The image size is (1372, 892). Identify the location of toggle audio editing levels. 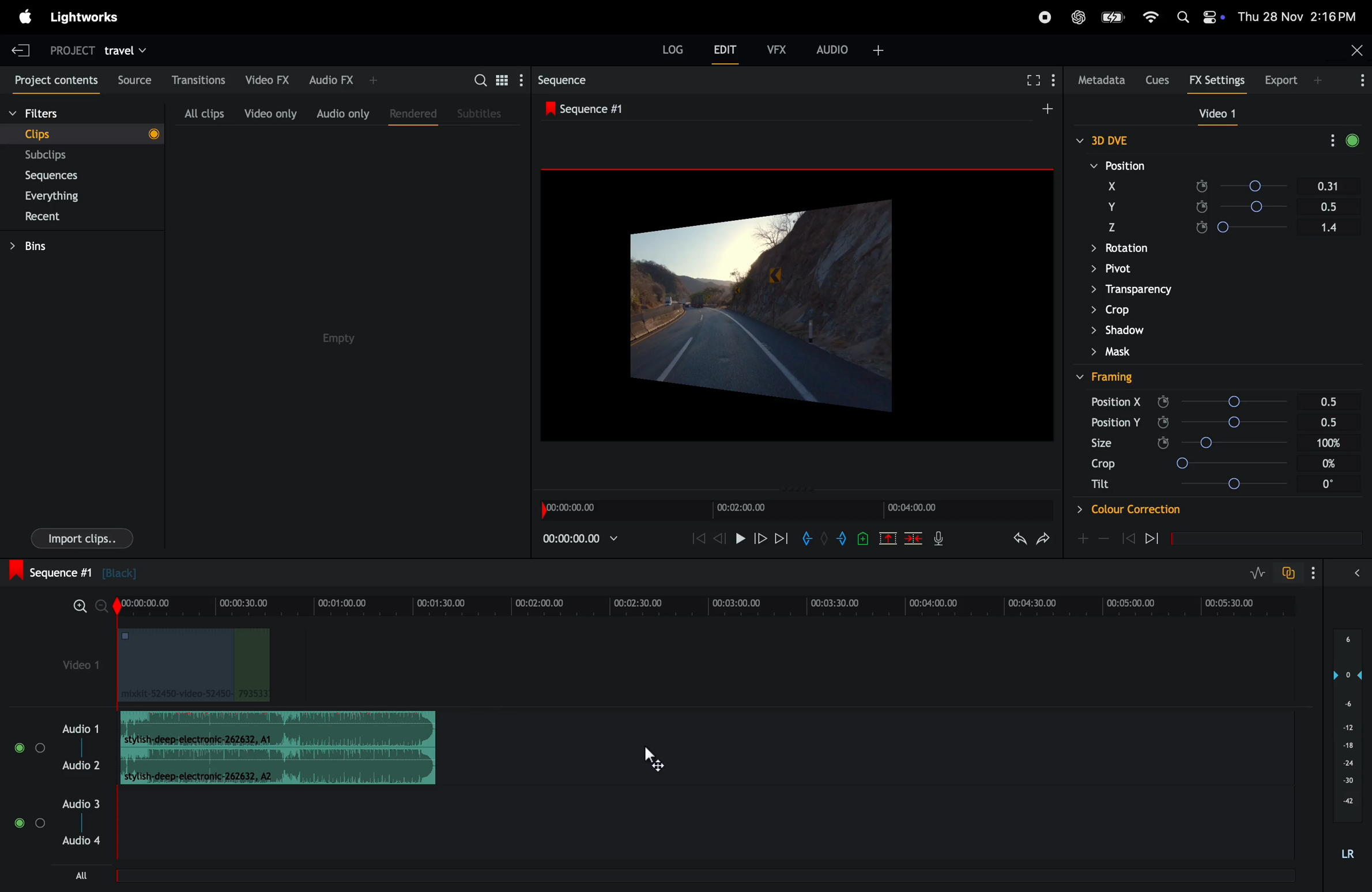
(1258, 573).